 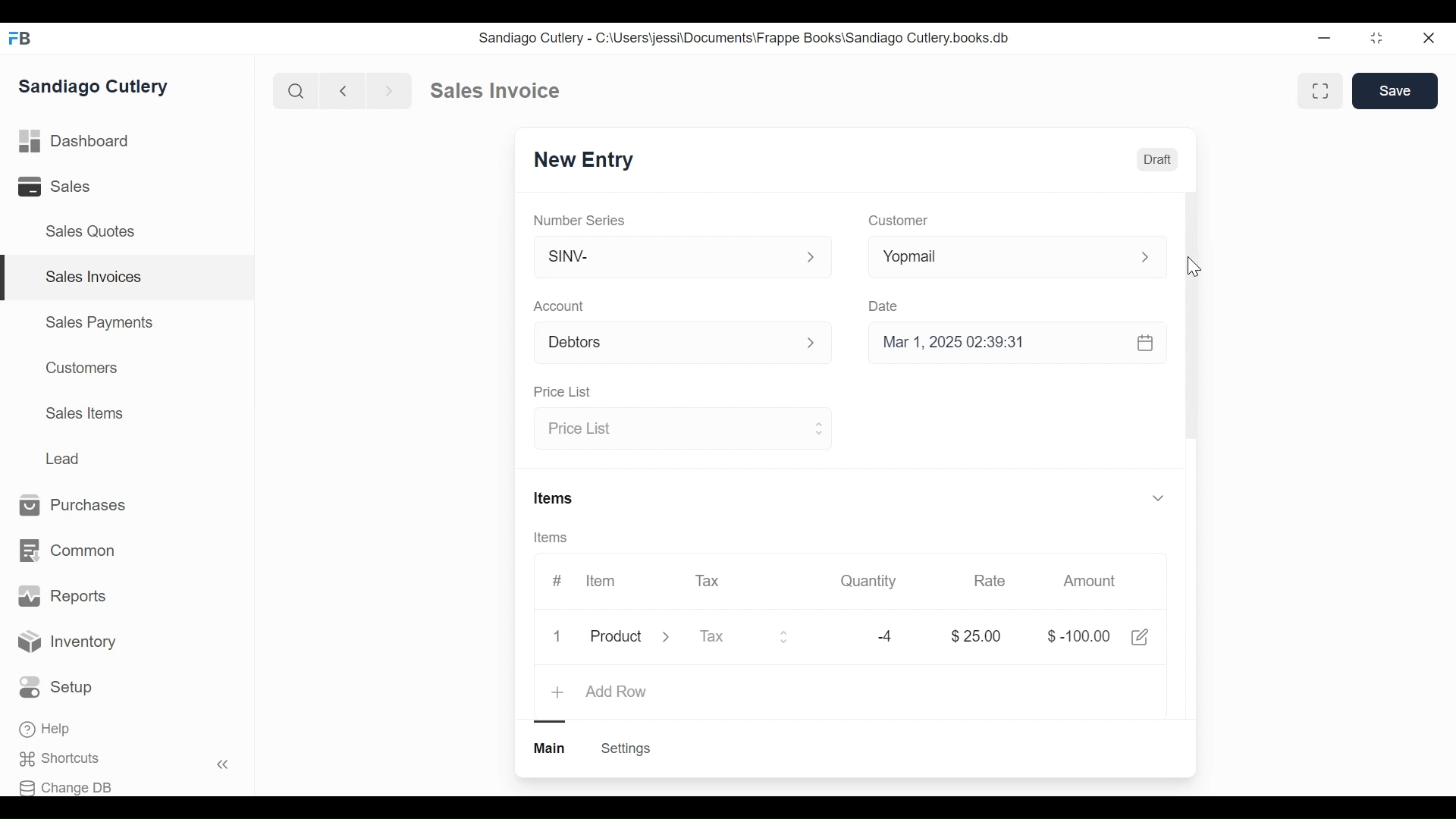 I want to click on Sandiago Cutlery - C:\Users\jessi\Documents\Frappe Books\Sandiago Cutlery.books.db, so click(x=745, y=39).